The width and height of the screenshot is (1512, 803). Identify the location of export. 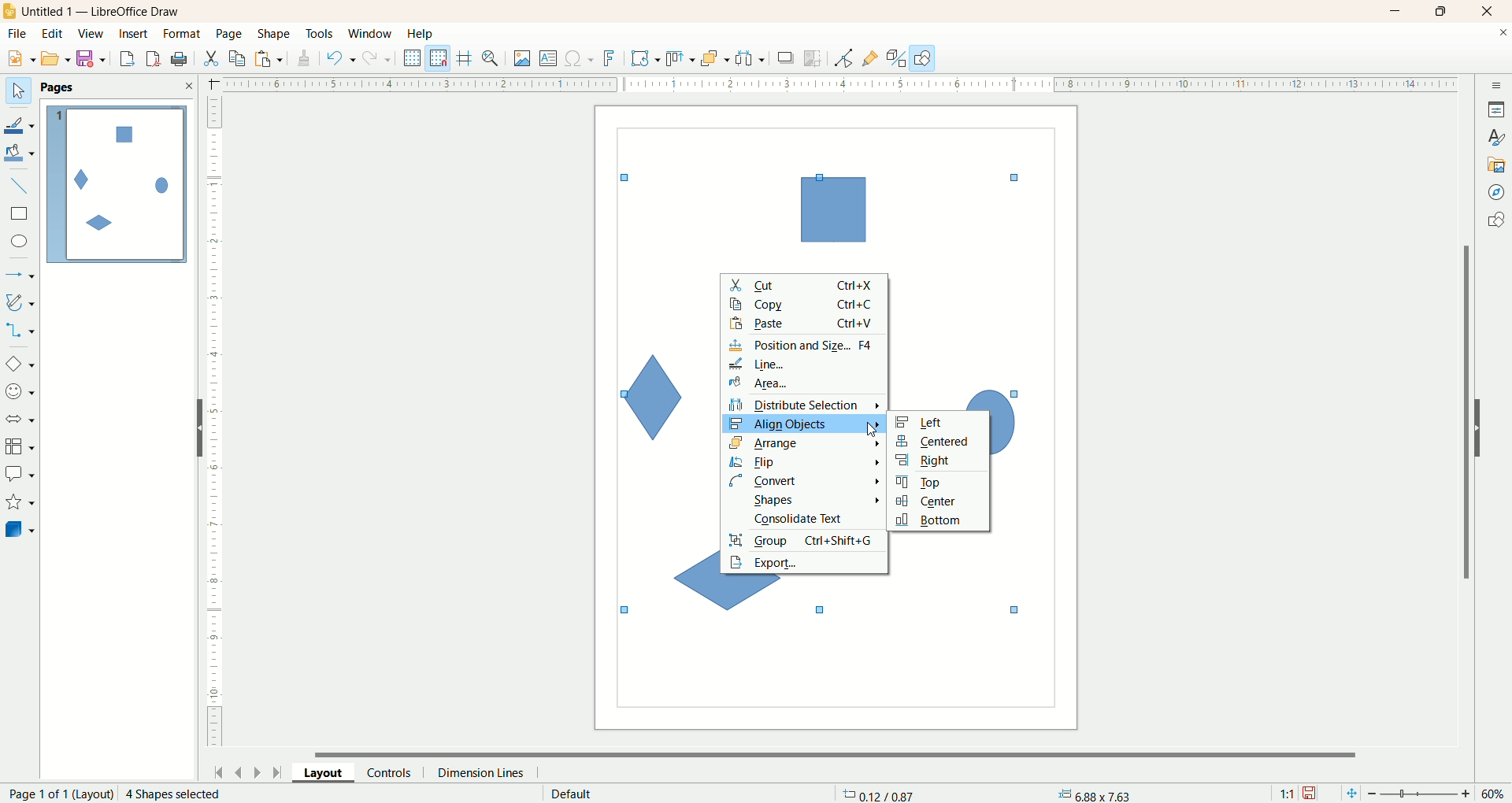
(126, 56).